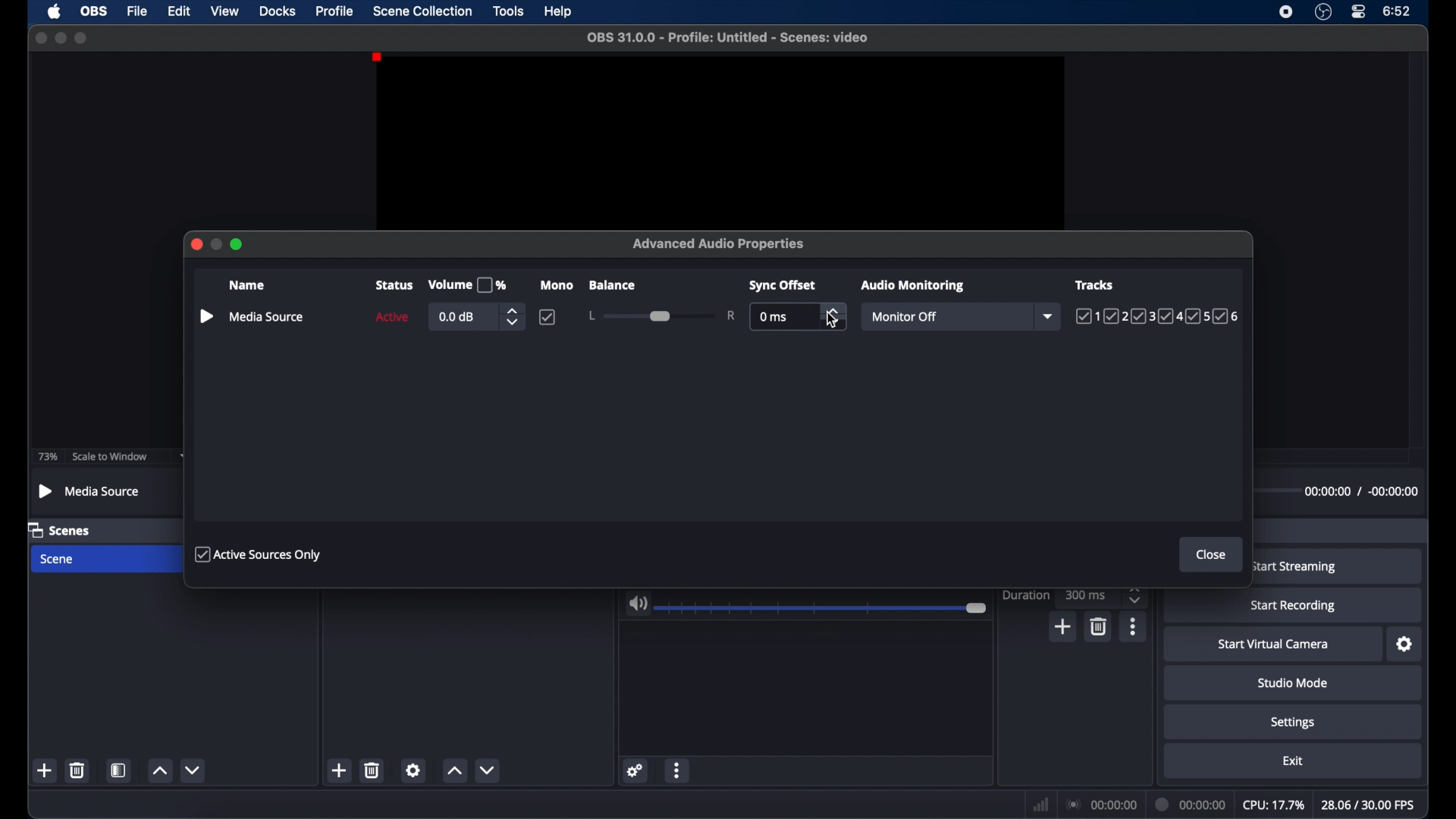  Describe the element at coordinates (729, 37) in the screenshot. I see `filename` at that location.